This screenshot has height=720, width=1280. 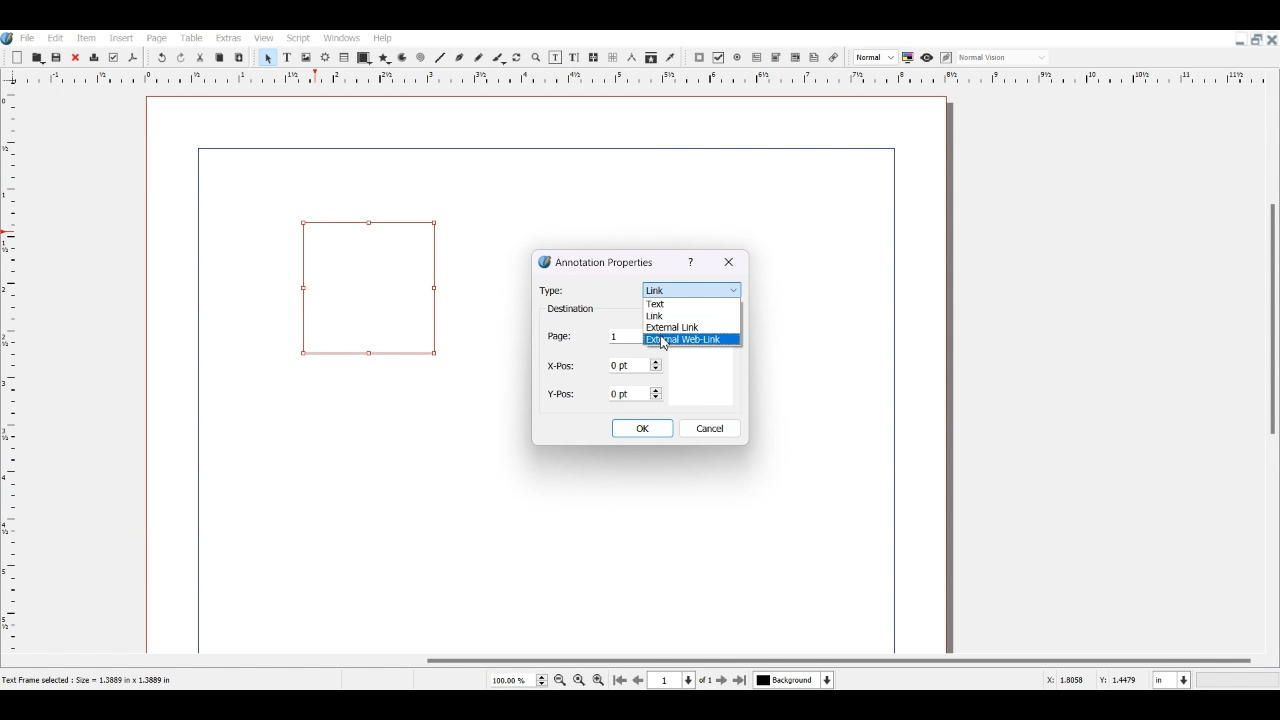 What do you see at coordinates (75, 58) in the screenshot?
I see `Close` at bounding box center [75, 58].